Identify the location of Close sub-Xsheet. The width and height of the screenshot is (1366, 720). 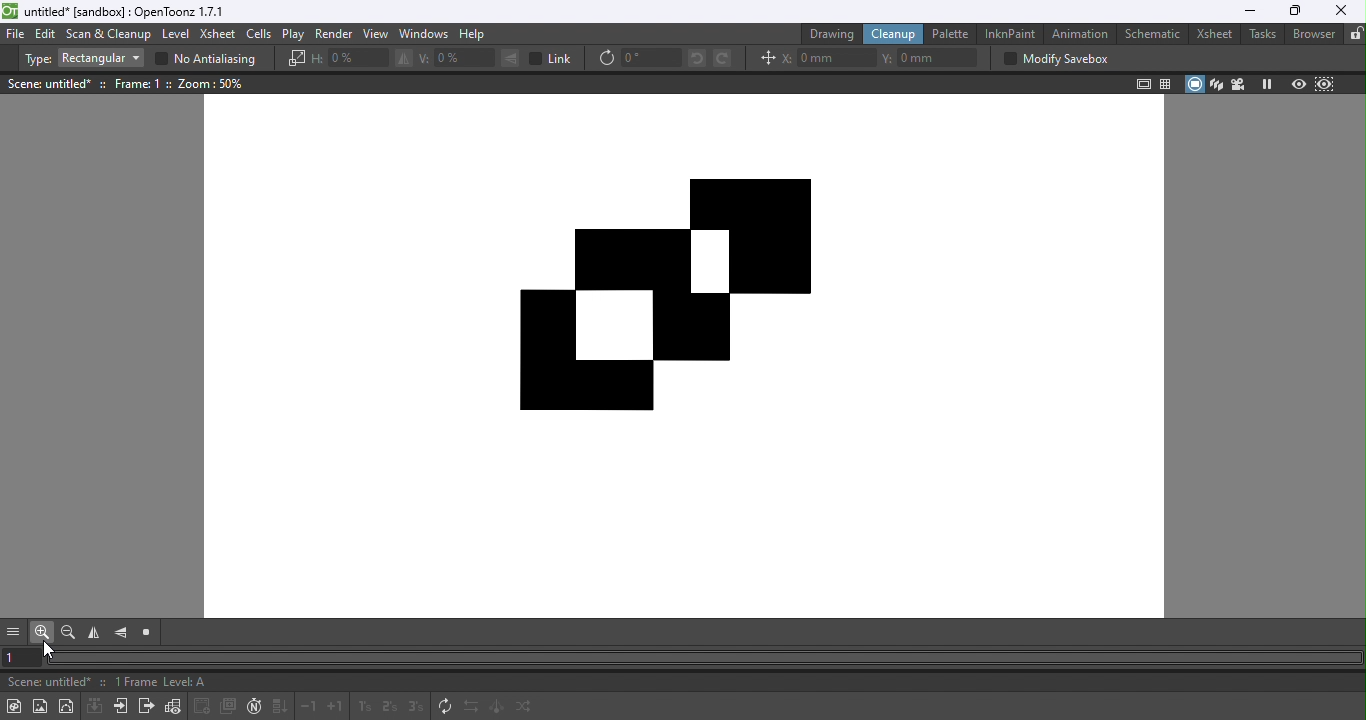
(144, 708).